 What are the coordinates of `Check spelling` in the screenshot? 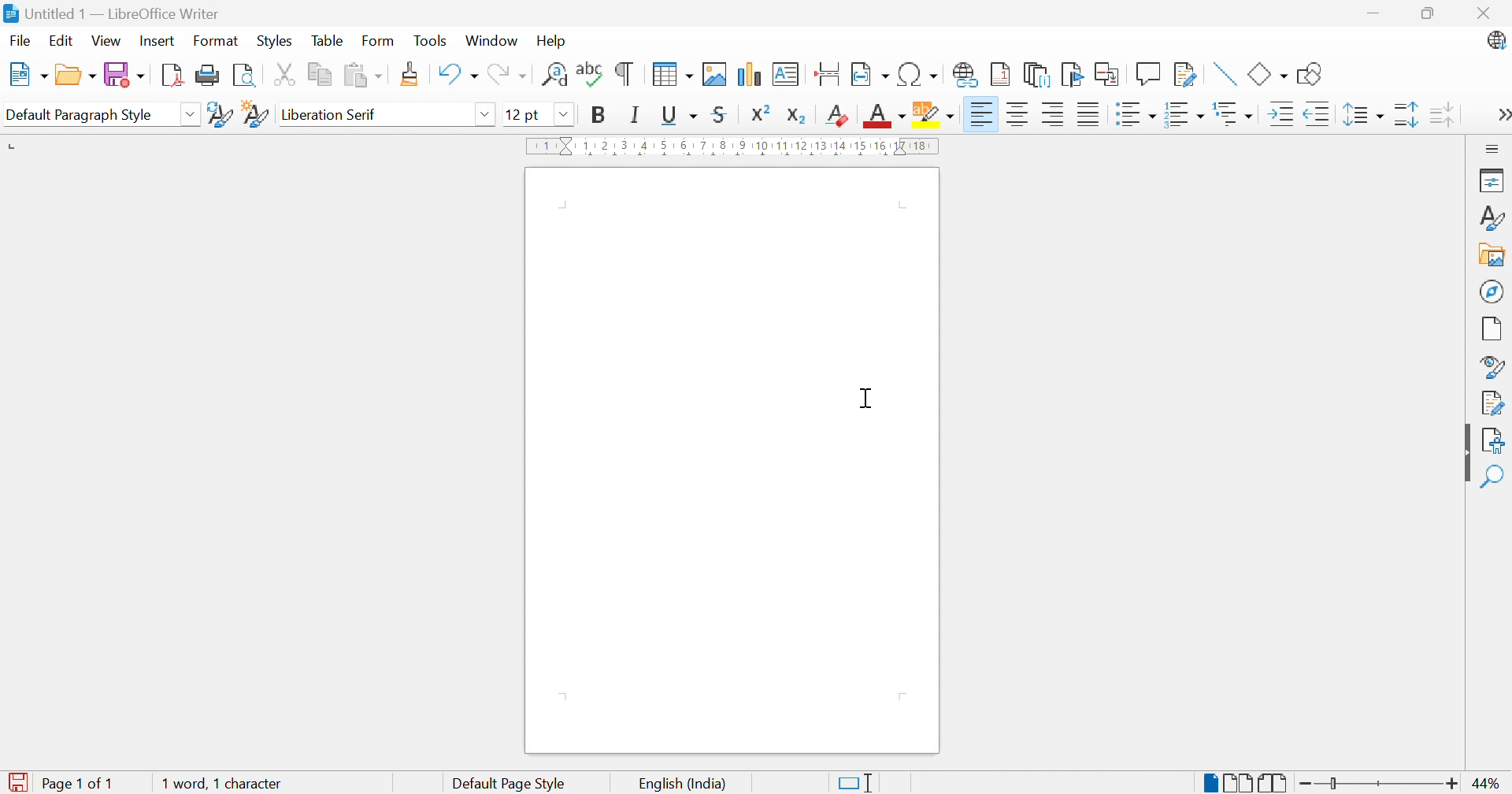 It's located at (591, 72).